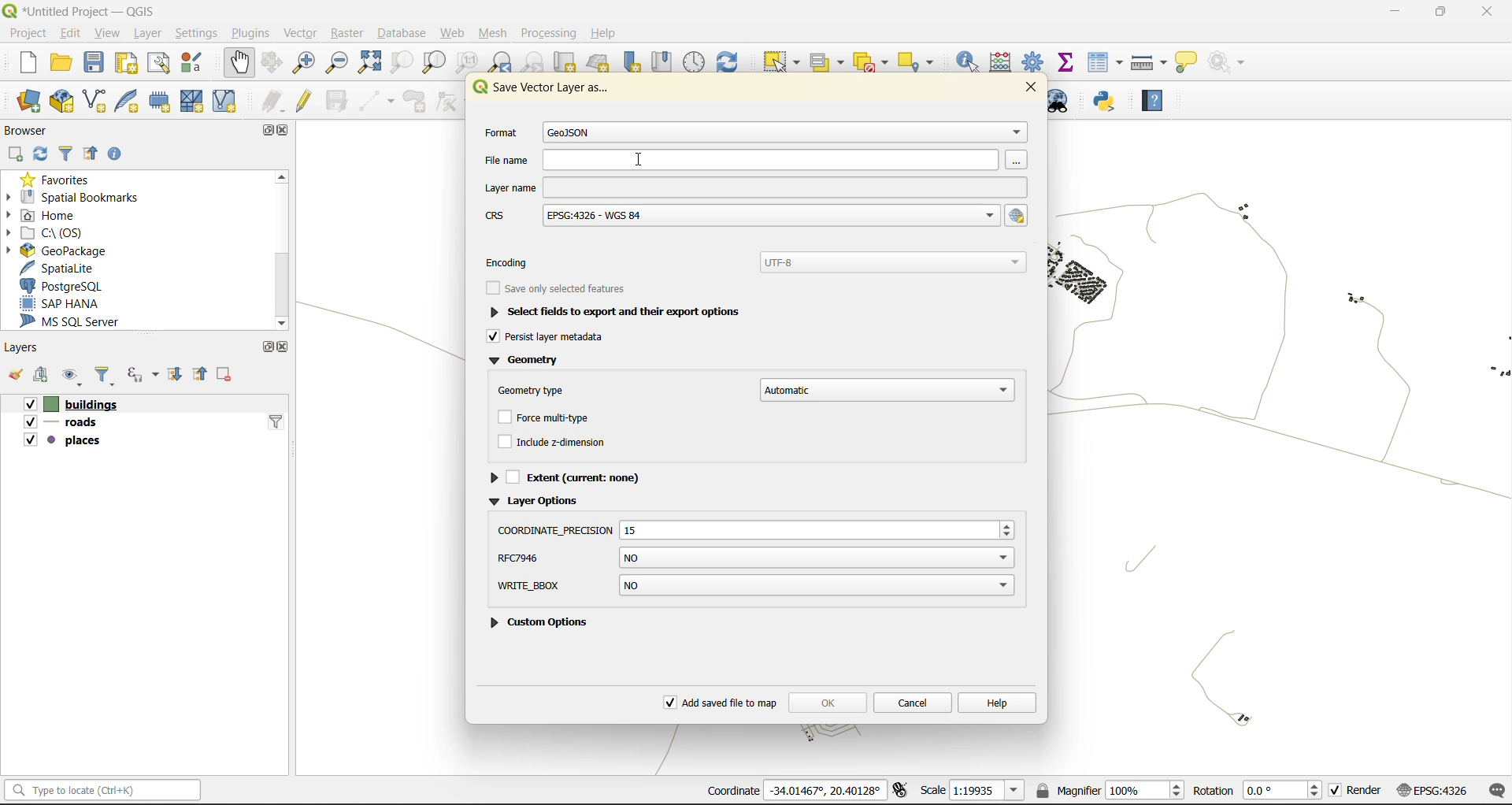  Describe the element at coordinates (228, 375) in the screenshot. I see `remove` at that location.